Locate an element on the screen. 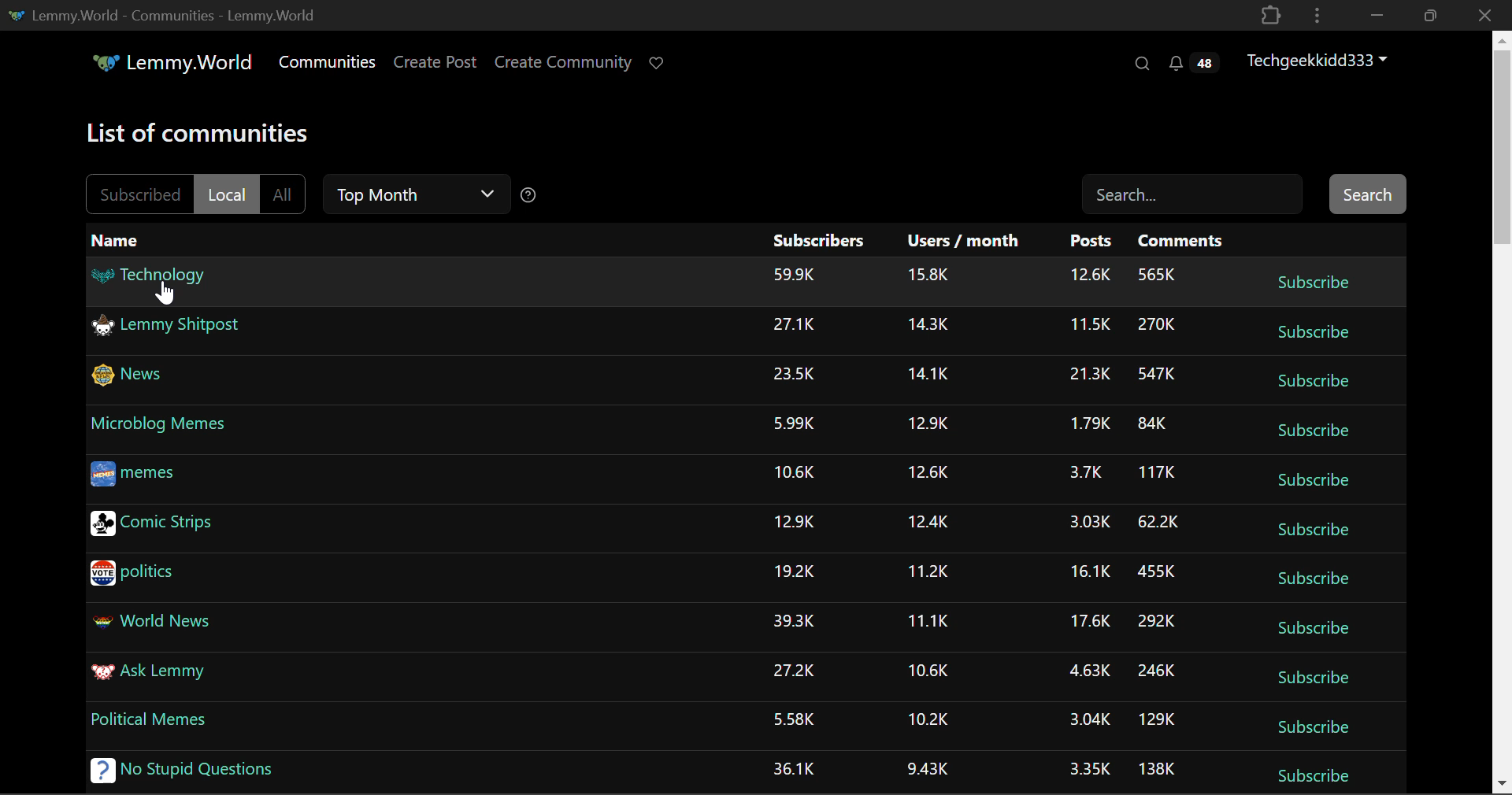 This screenshot has width=1512, height=795. Amount  is located at coordinates (1085, 719).